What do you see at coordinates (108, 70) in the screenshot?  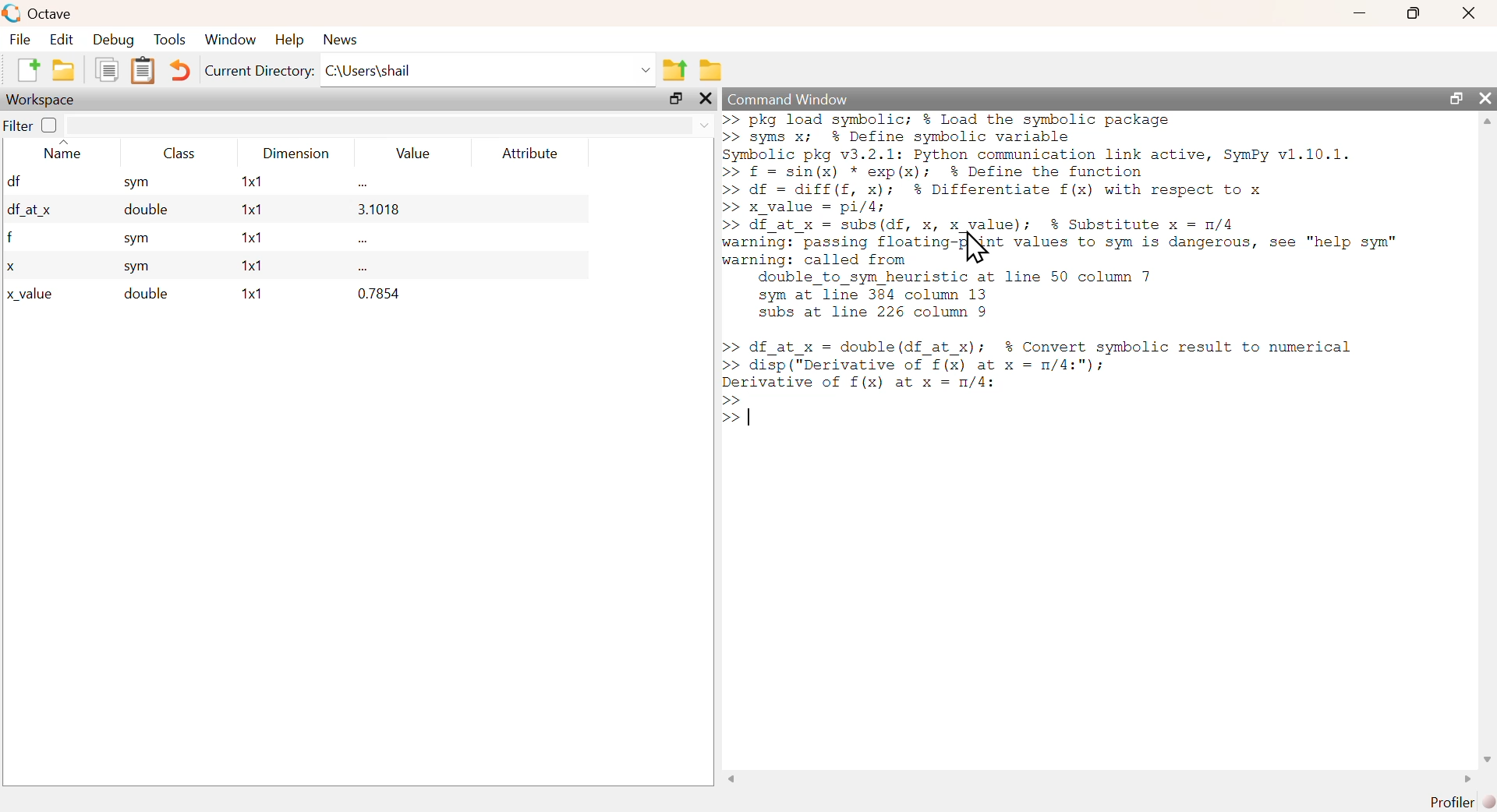 I see `Copy` at bounding box center [108, 70].